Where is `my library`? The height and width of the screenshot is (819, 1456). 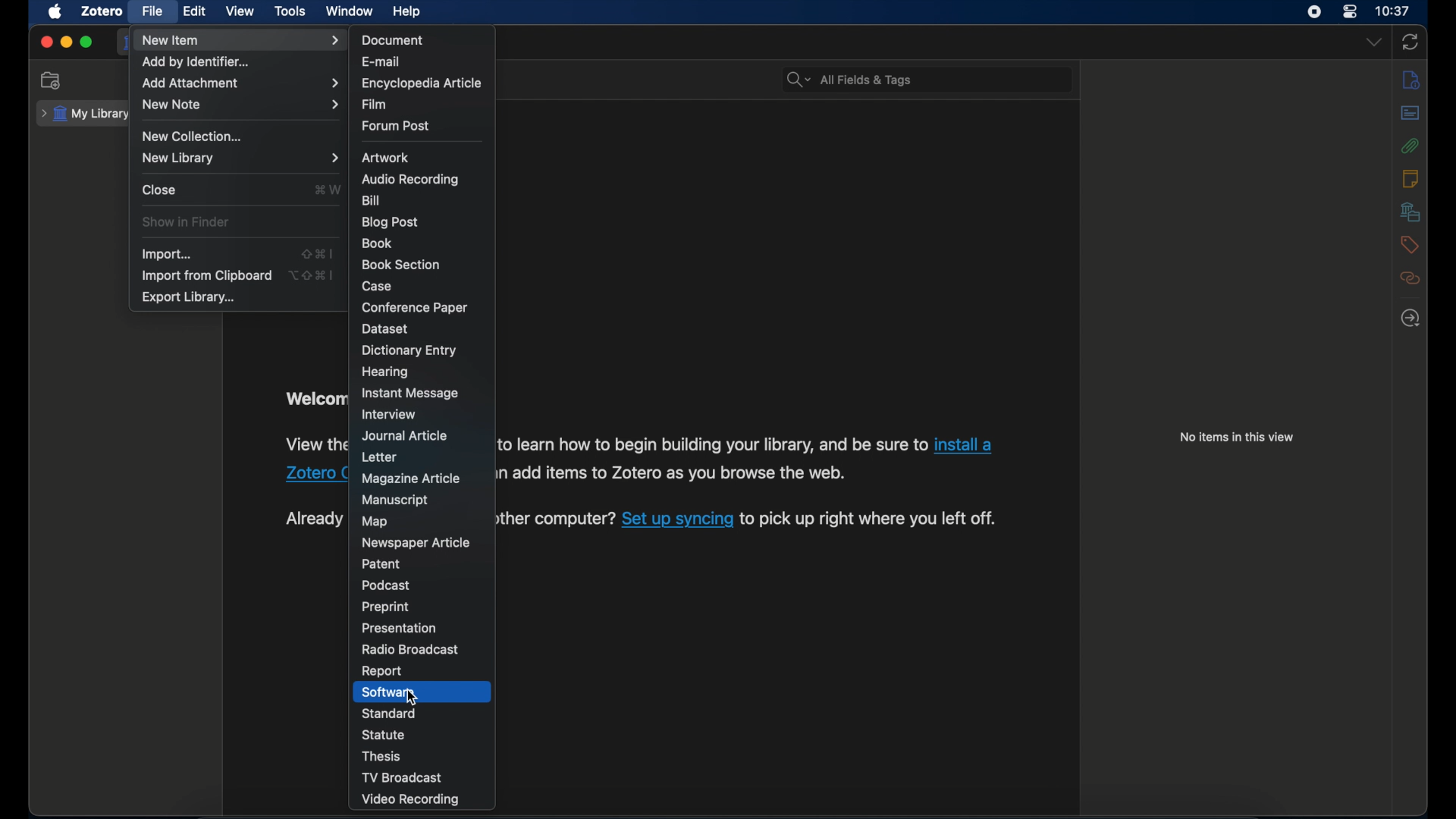
my library is located at coordinates (83, 114).